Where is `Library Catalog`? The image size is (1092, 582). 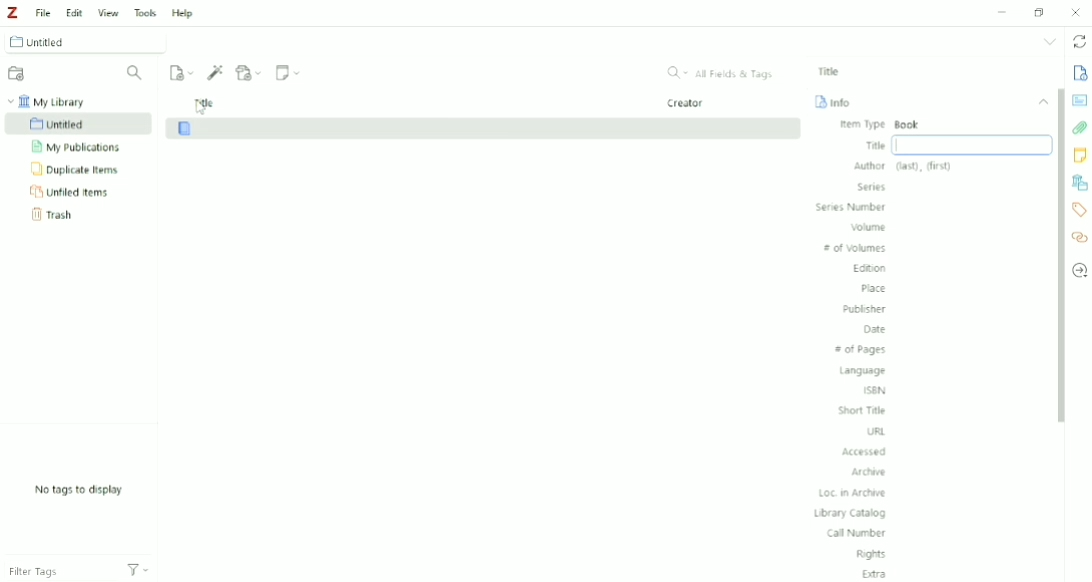 Library Catalog is located at coordinates (850, 513).